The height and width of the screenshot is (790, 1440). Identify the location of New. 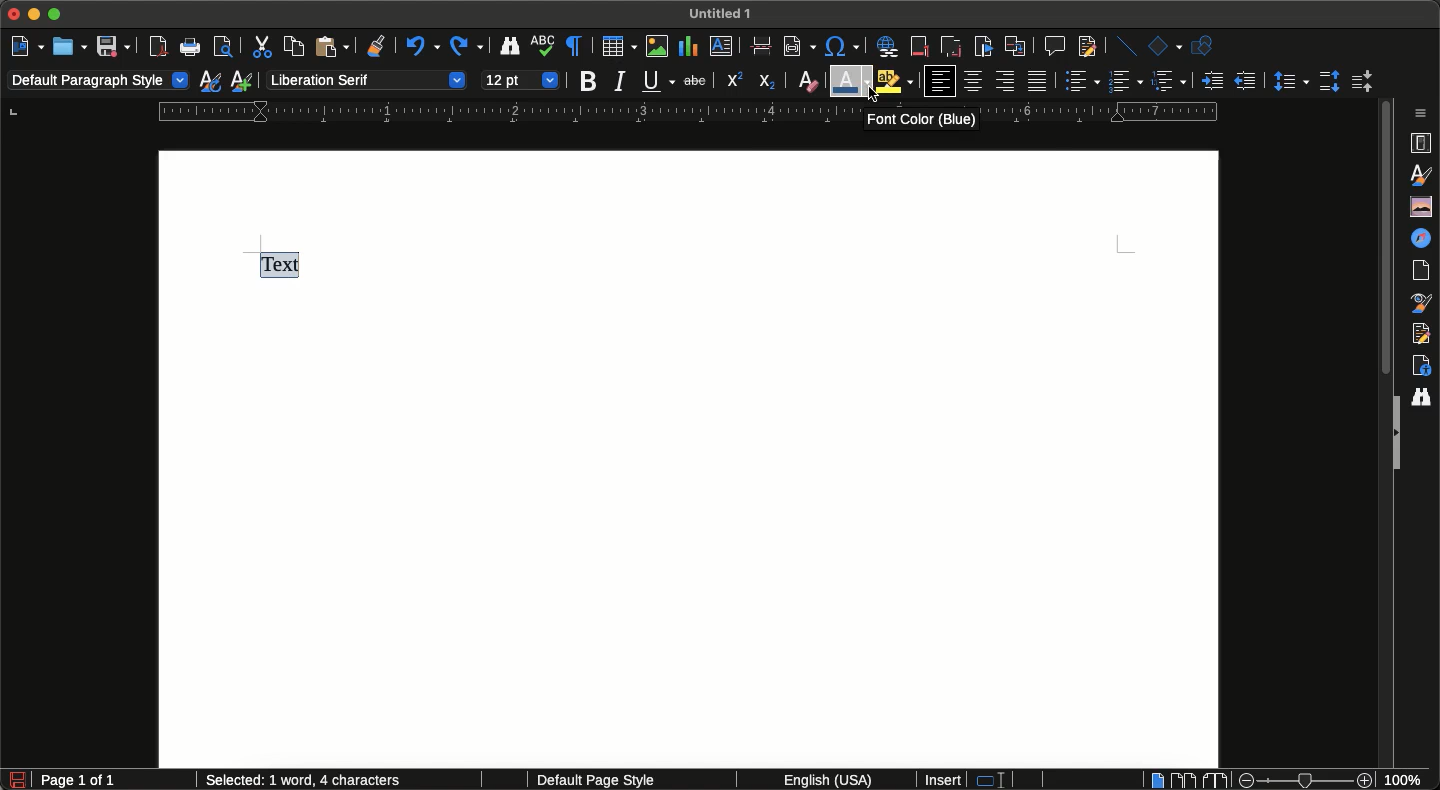
(27, 44).